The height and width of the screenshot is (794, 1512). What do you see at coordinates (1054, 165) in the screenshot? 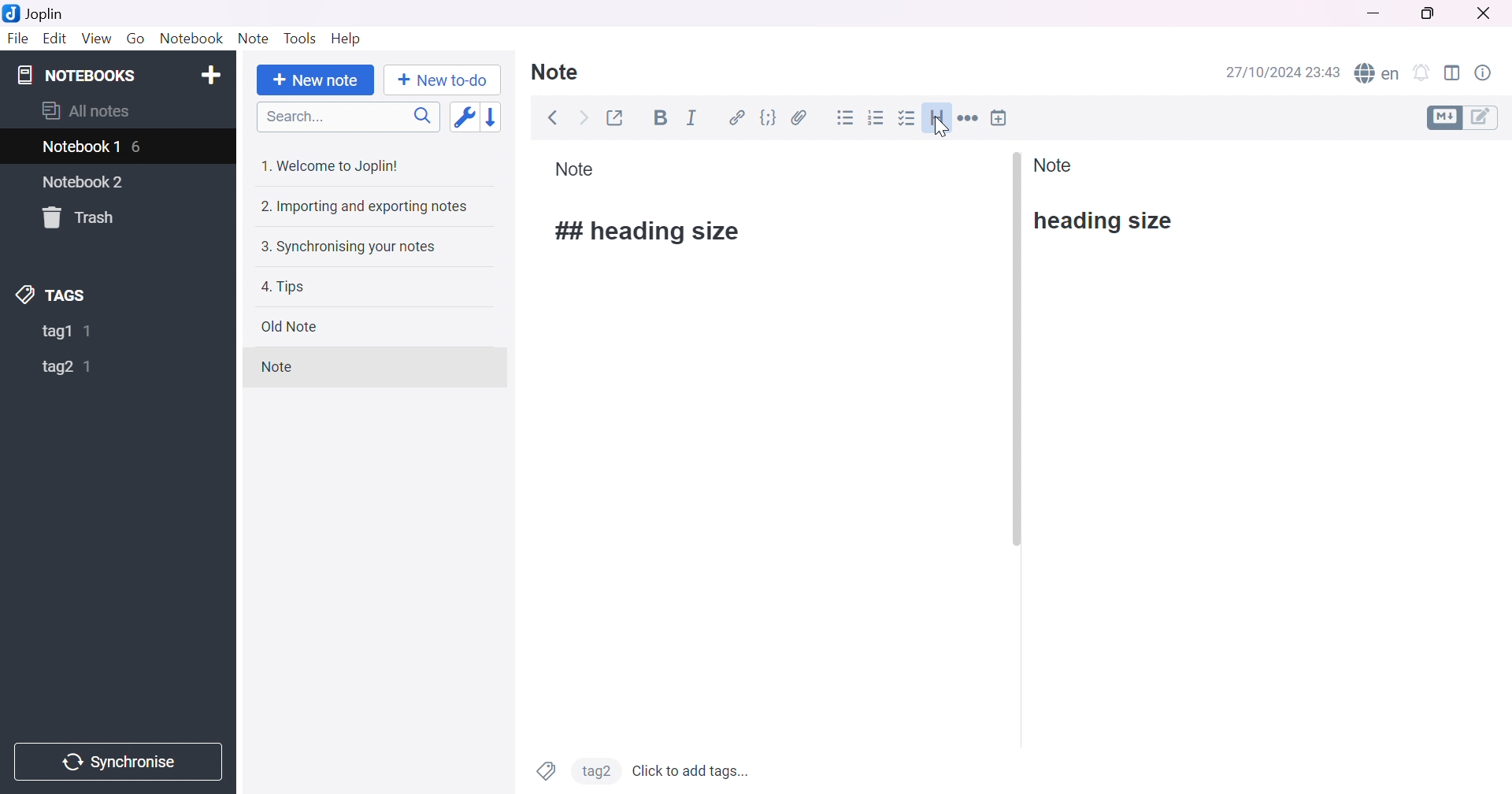
I see `Note` at bounding box center [1054, 165].